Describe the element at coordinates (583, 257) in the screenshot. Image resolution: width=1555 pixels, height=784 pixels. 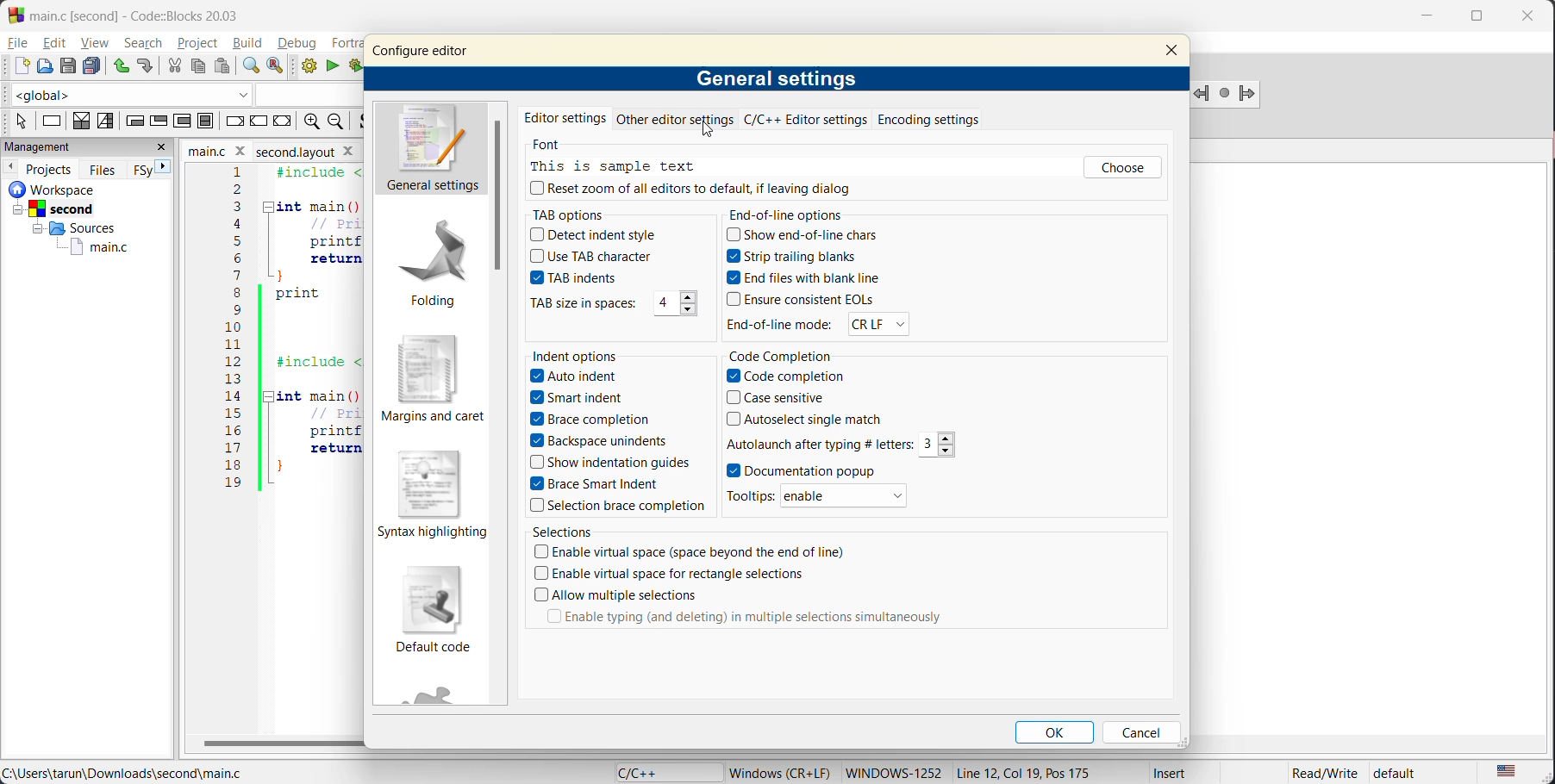
I see `Use TAB character` at that location.